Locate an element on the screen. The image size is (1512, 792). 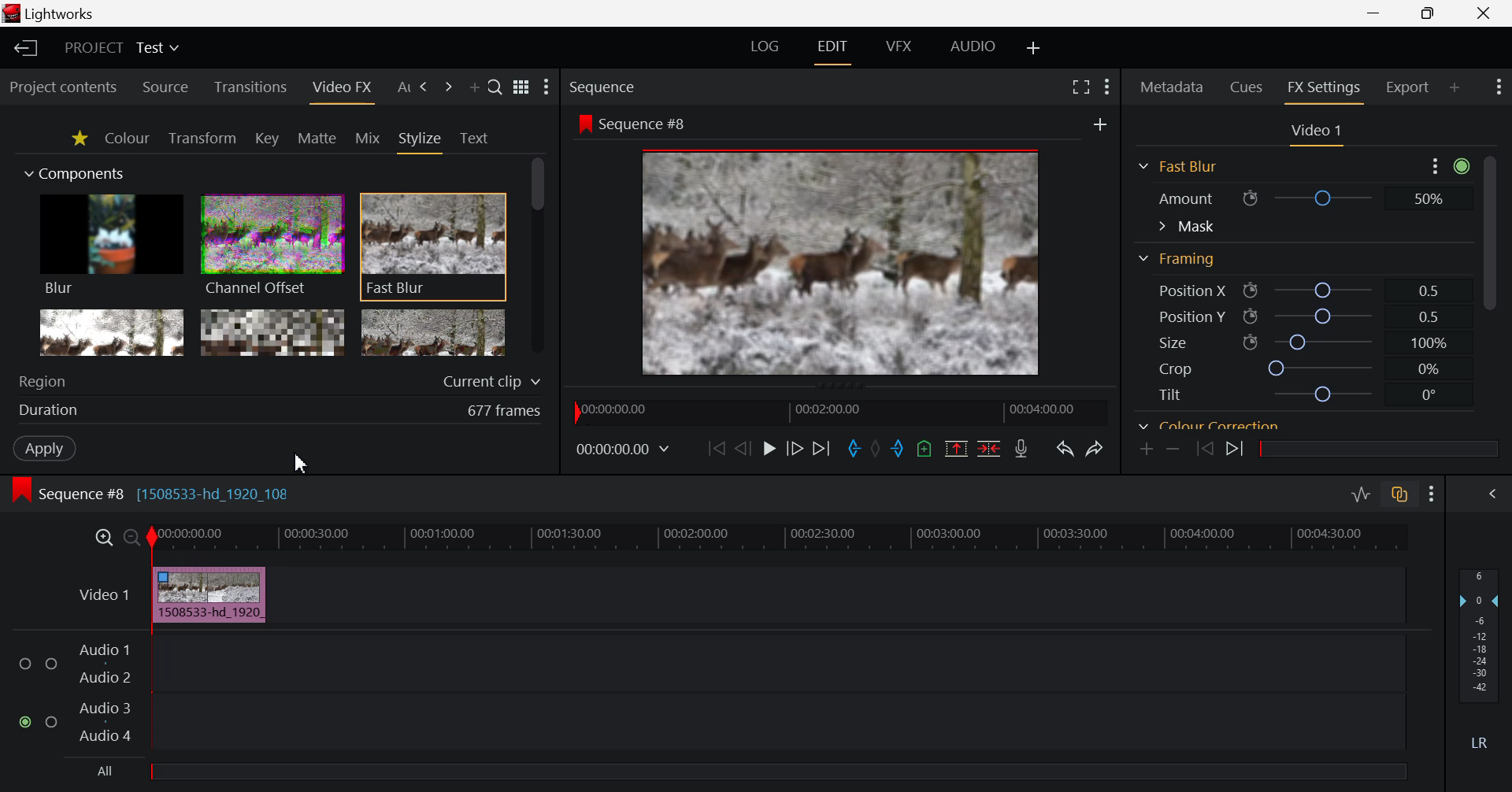
Video Settings Section is located at coordinates (1315, 132).